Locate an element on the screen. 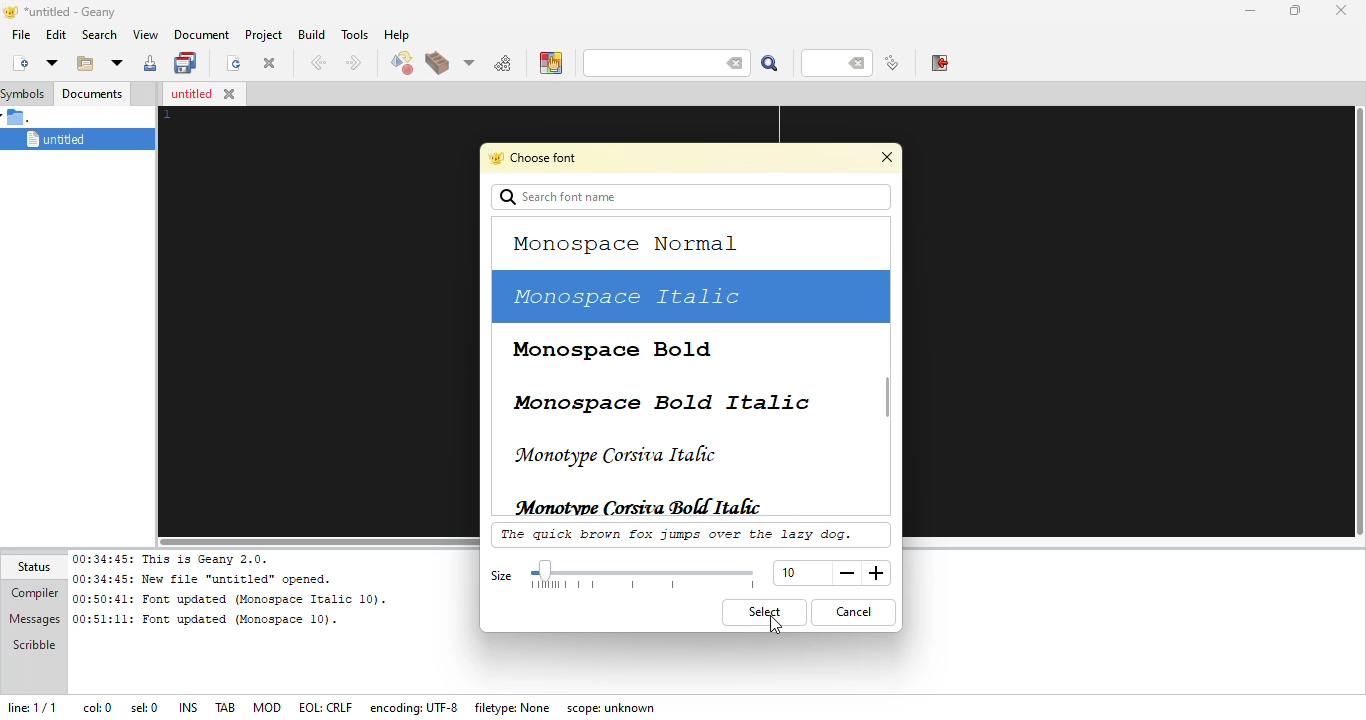 Image resolution: width=1366 pixels, height=720 pixels. the quick brown fox jumps over the lazy dog. is located at coordinates (678, 537).